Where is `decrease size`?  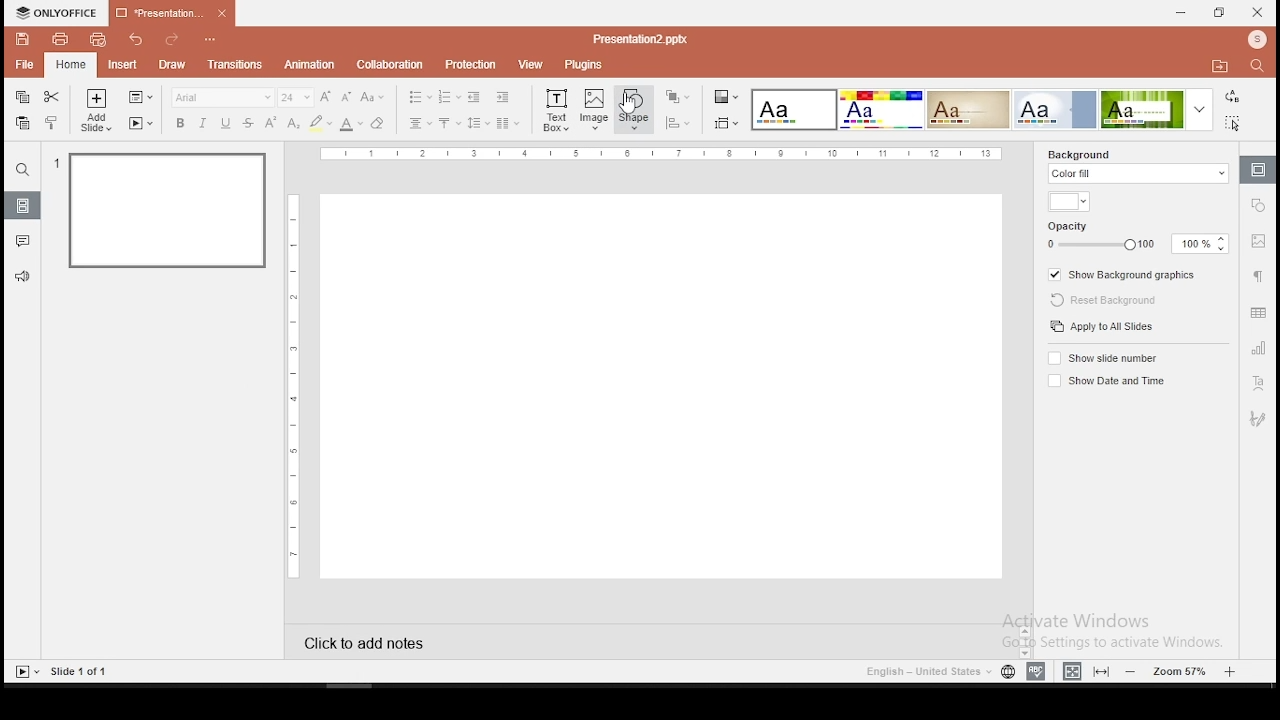 decrease size is located at coordinates (347, 97).